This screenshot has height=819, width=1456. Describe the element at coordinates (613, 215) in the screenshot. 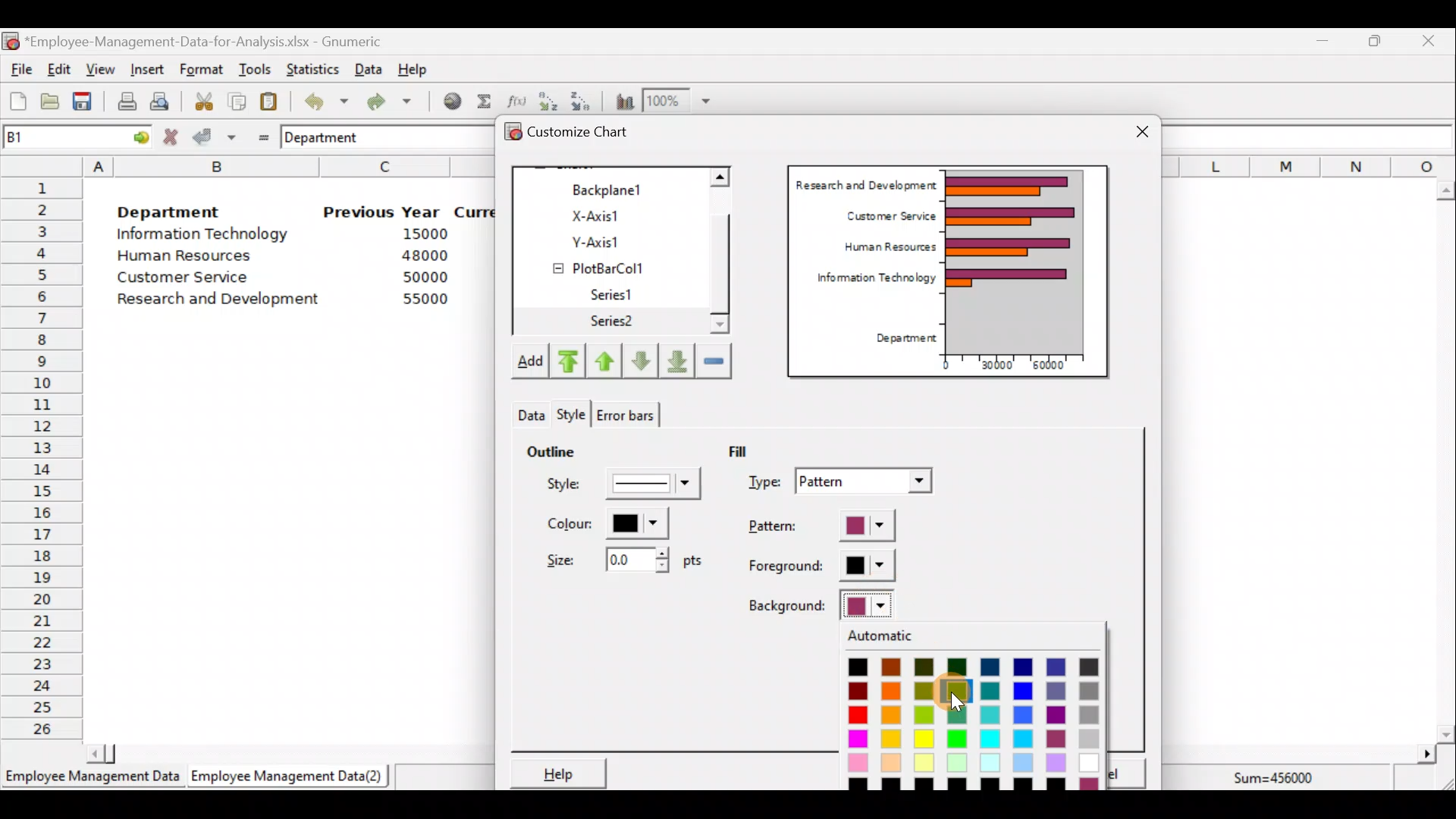

I see `X-axis1` at that location.